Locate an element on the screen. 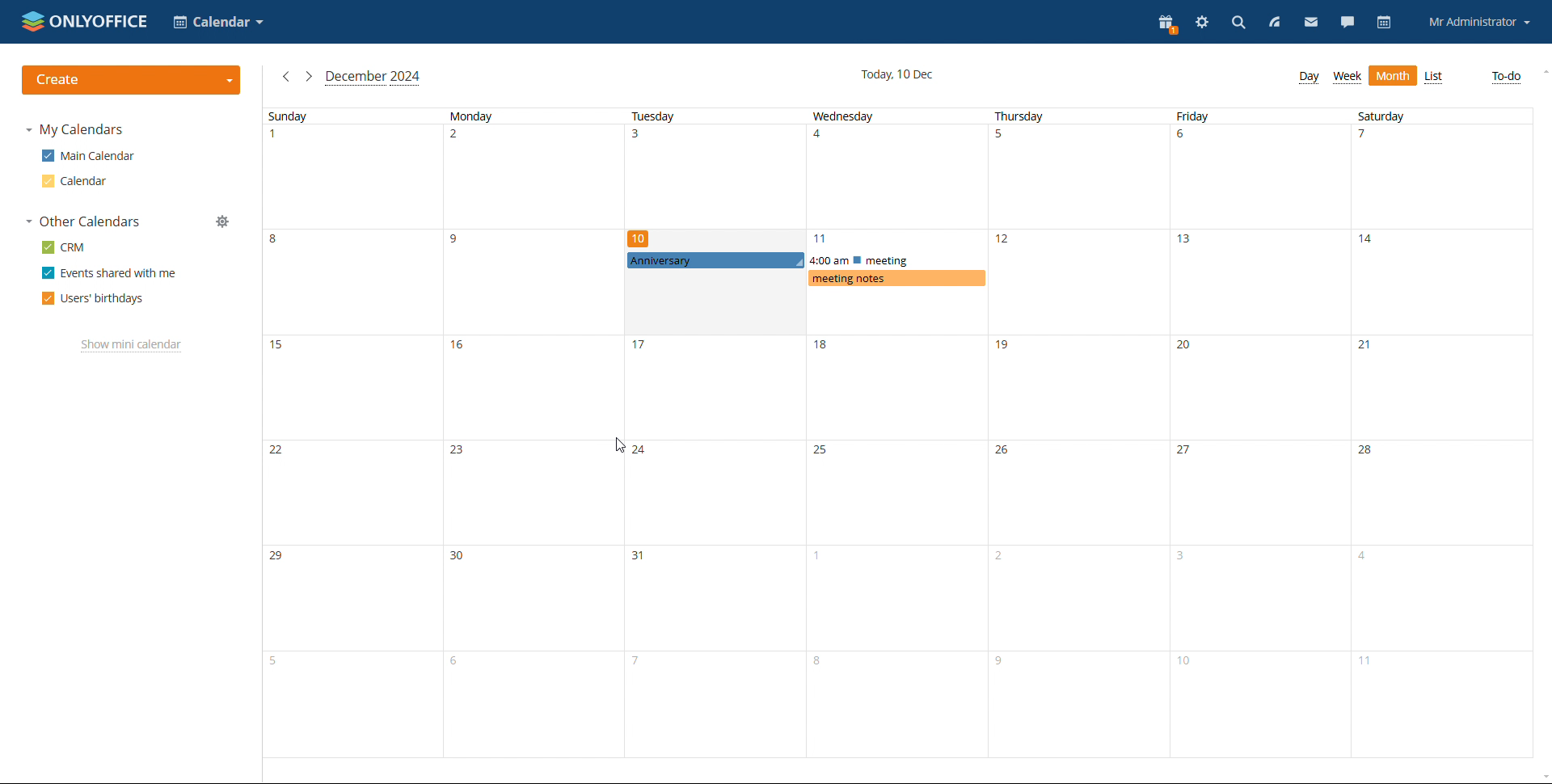  saturday is located at coordinates (1440, 434).